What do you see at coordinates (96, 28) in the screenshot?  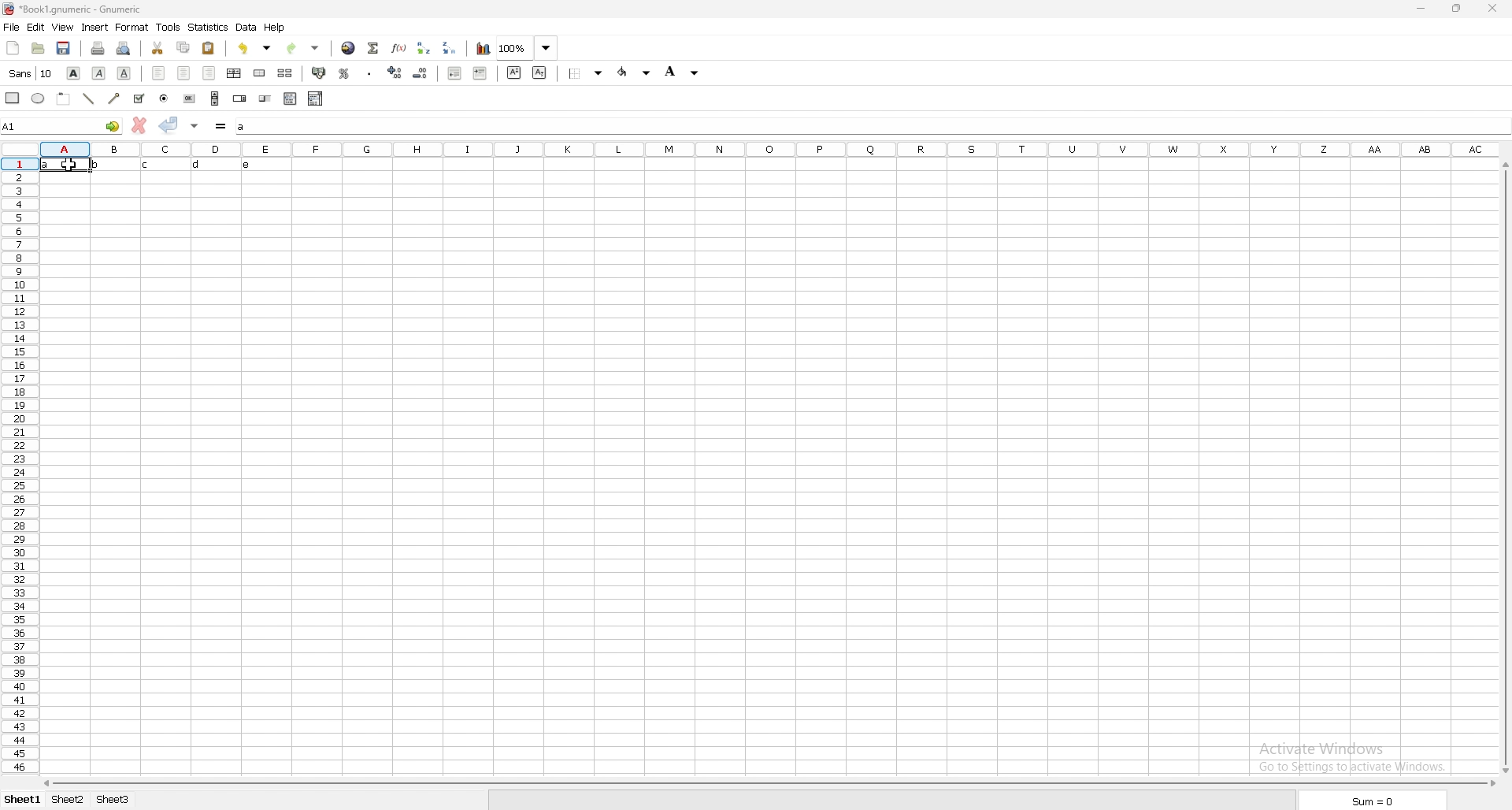 I see `insert` at bounding box center [96, 28].